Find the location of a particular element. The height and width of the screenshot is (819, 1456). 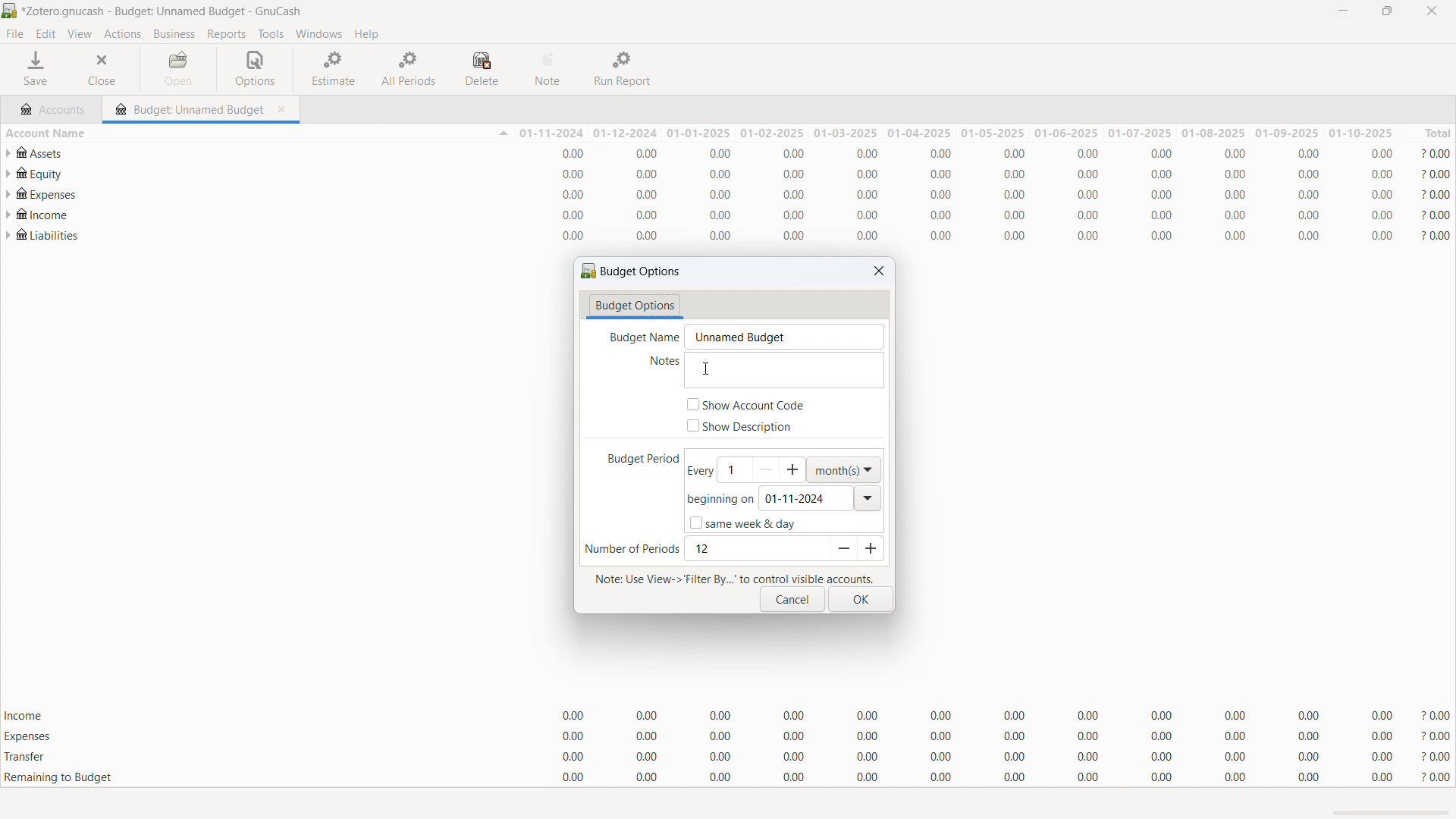

all periods is located at coordinates (409, 68).